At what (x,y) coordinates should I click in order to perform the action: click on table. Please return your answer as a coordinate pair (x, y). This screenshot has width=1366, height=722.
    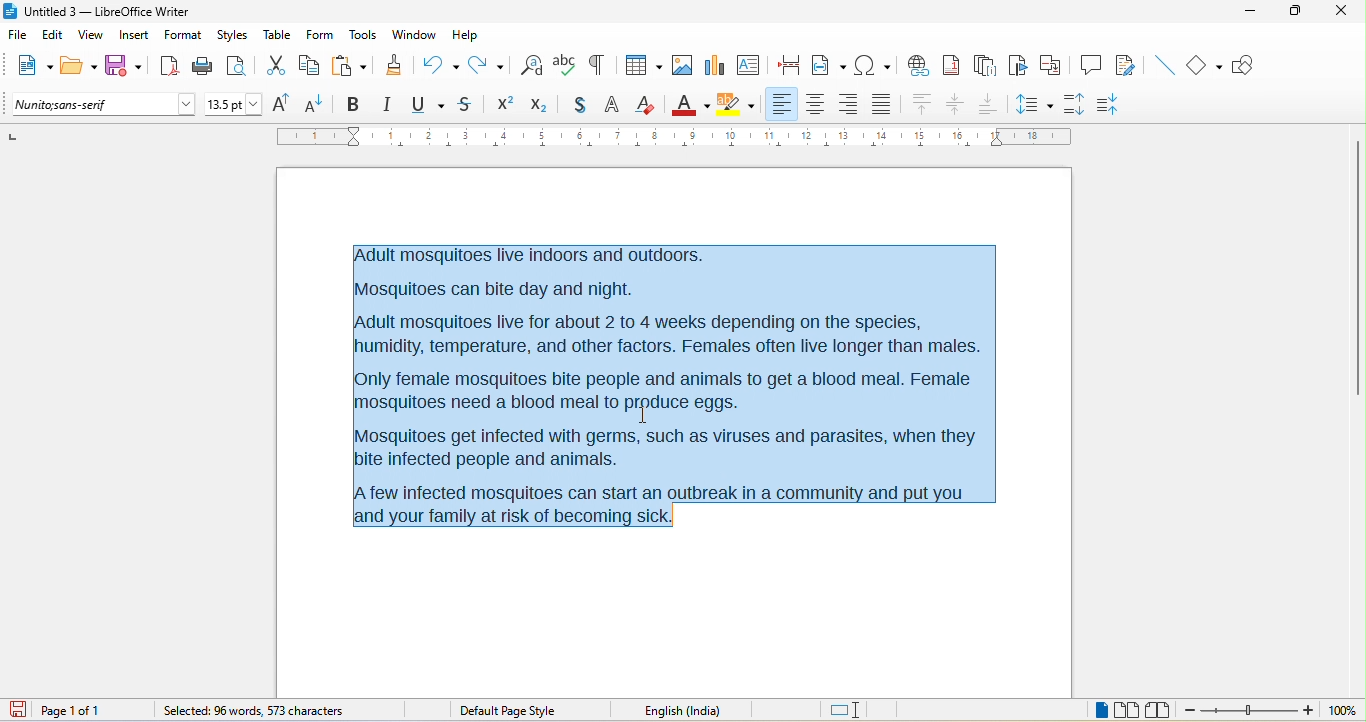
    Looking at the image, I should click on (642, 63).